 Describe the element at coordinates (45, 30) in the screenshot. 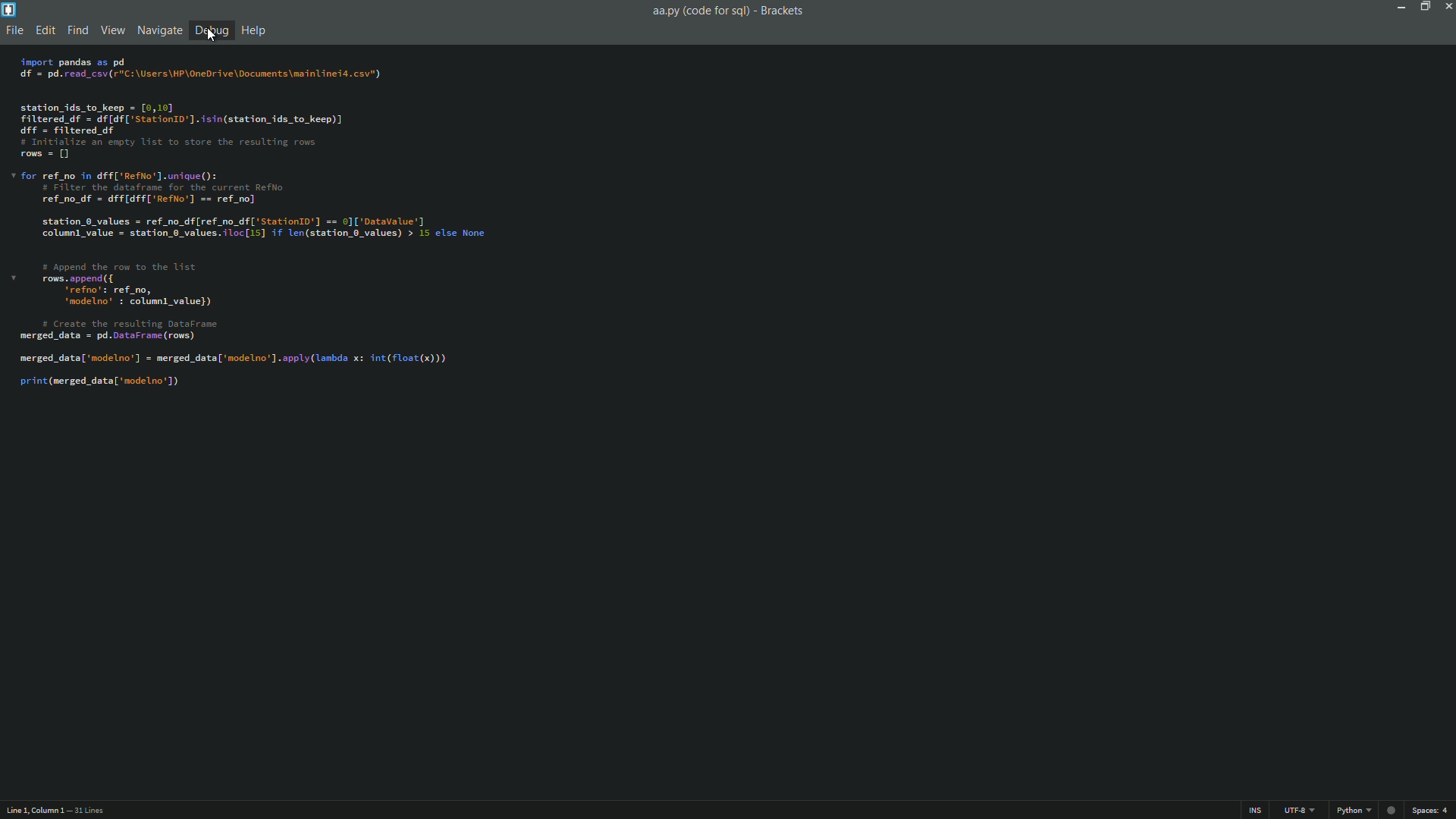

I see `edit menu` at that location.